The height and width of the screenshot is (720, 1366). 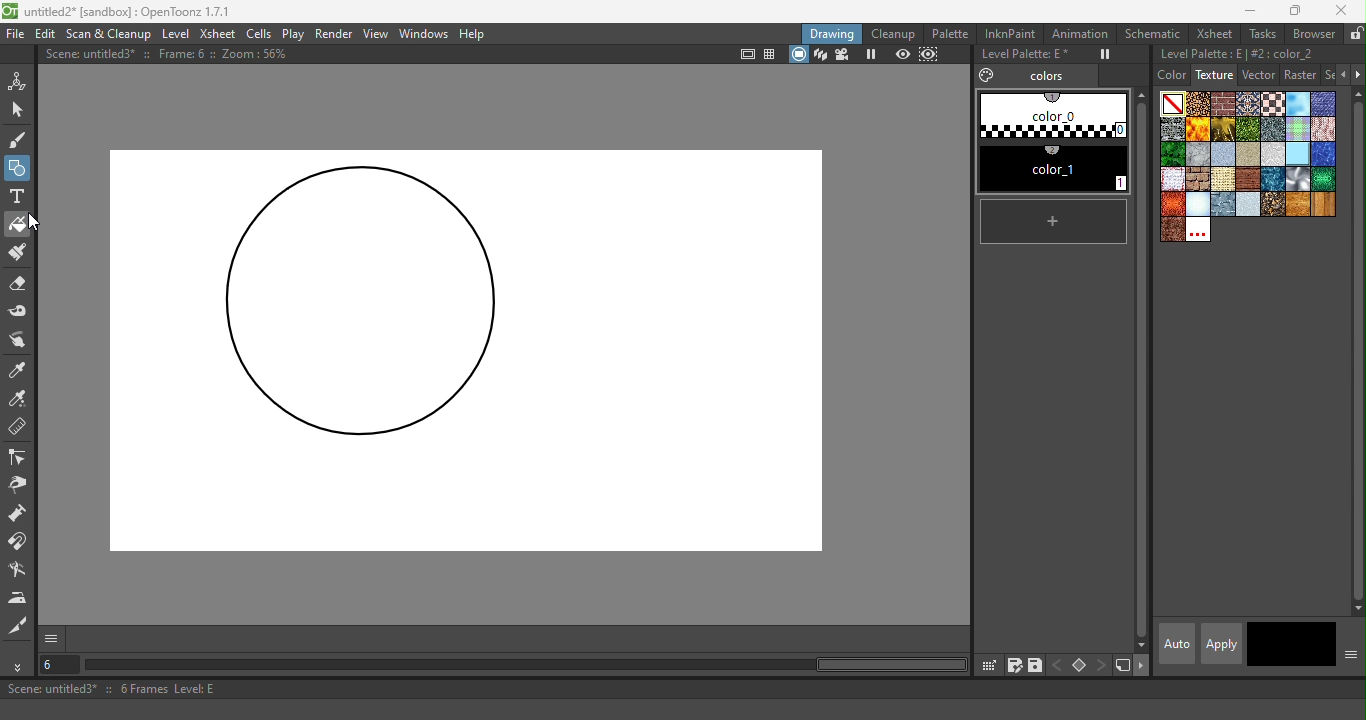 What do you see at coordinates (929, 54) in the screenshot?
I see `sub-camera preview` at bounding box center [929, 54].